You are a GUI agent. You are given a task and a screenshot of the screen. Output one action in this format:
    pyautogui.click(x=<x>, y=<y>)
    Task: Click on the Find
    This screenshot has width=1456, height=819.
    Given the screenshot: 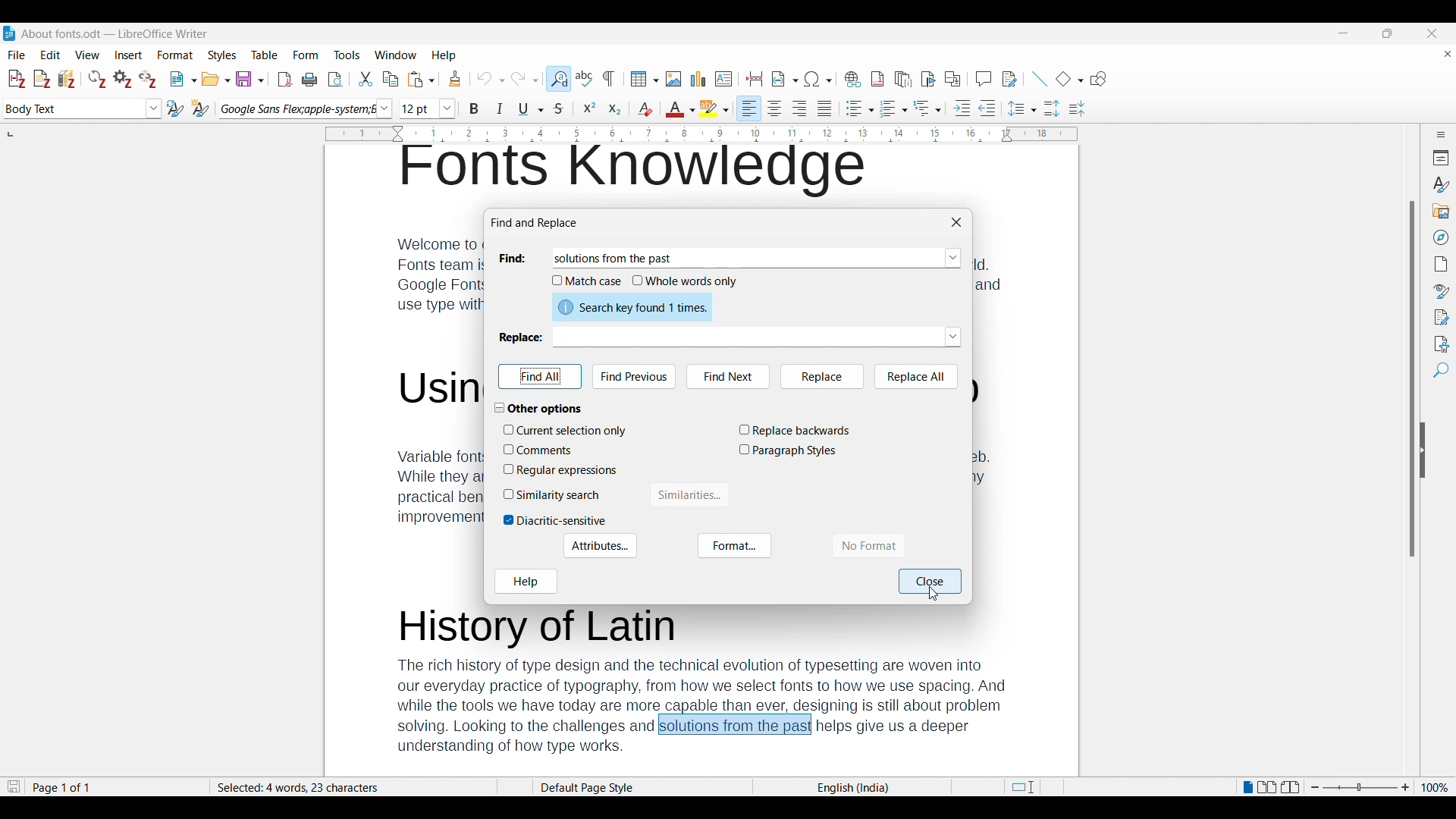 What is the action you would take?
    pyautogui.click(x=1440, y=371)
    